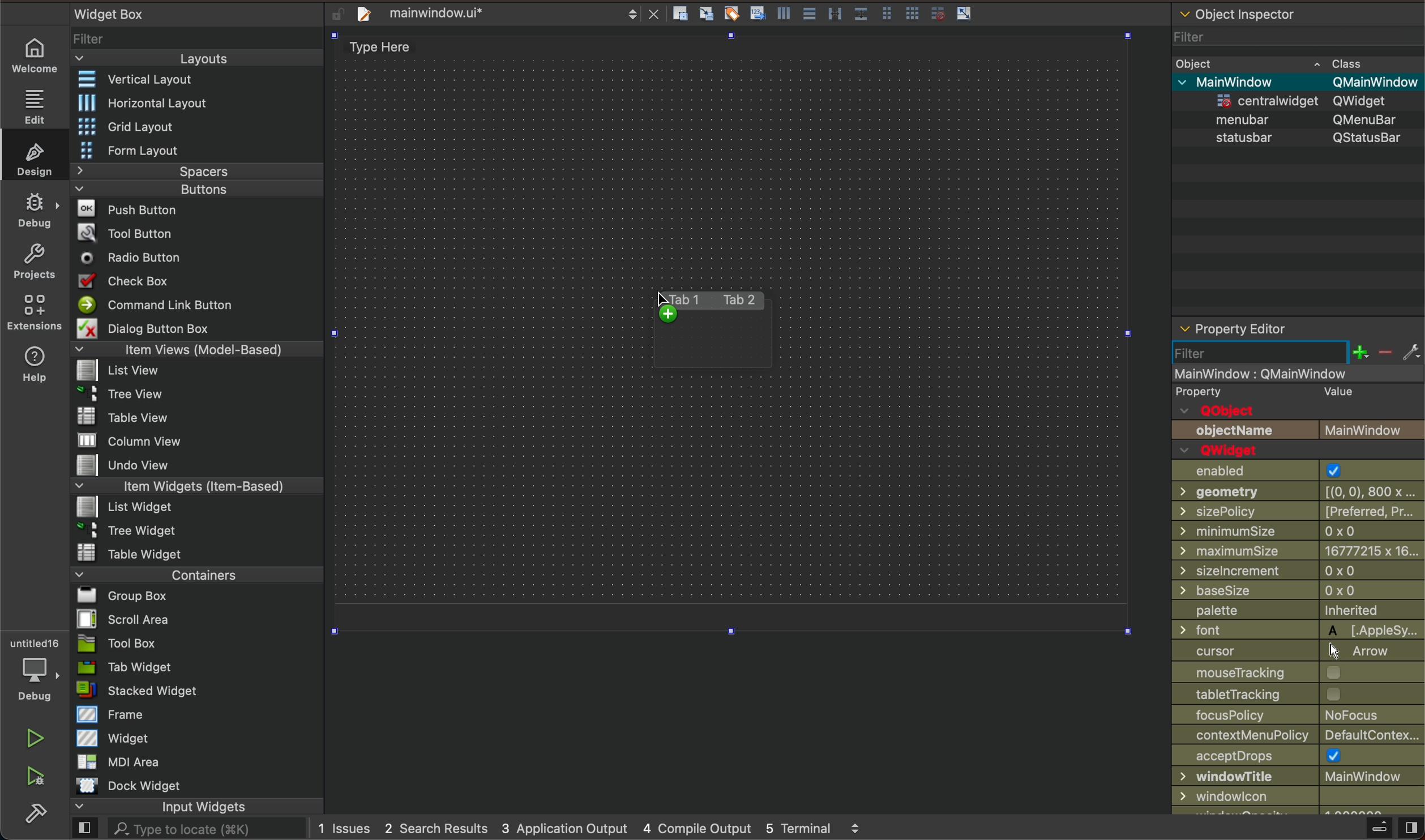 The image size is (1425, 840). Describe the element at coordinates (42, 777) in the screenshot. I see `run and debuh` at that location.